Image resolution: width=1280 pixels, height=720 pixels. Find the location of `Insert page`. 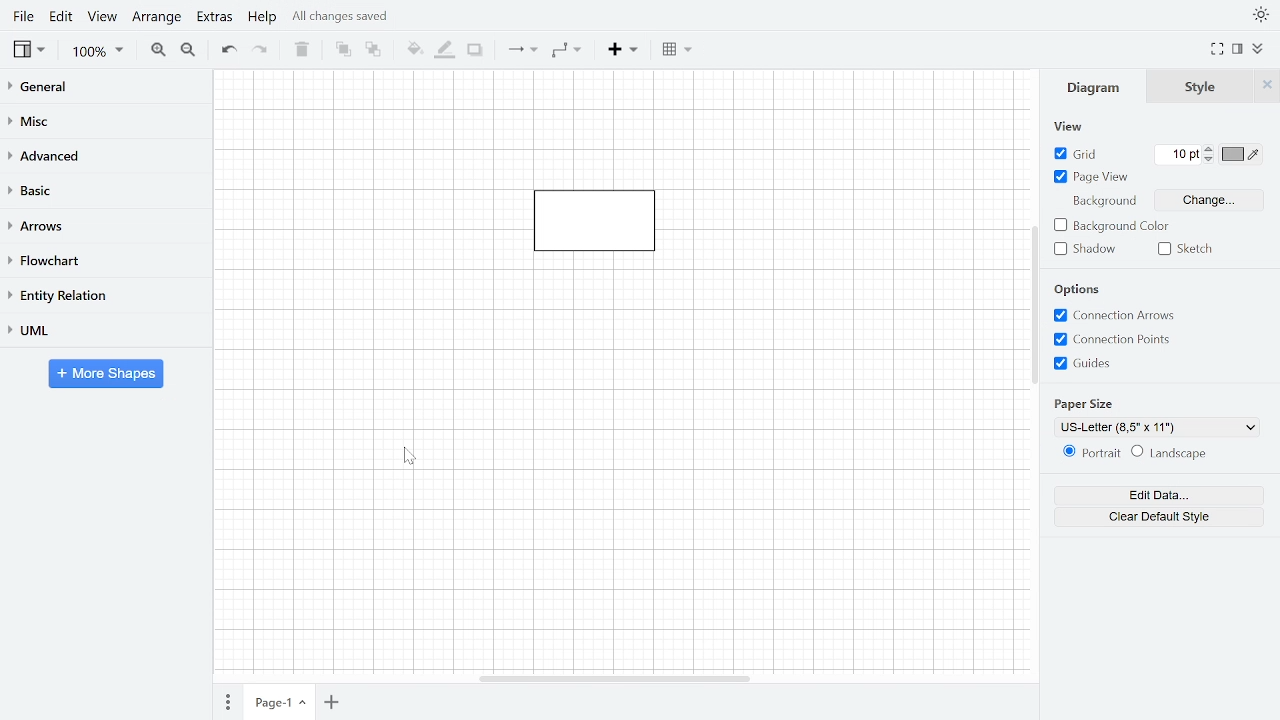

Insert page is located at coordinates (332, 703).